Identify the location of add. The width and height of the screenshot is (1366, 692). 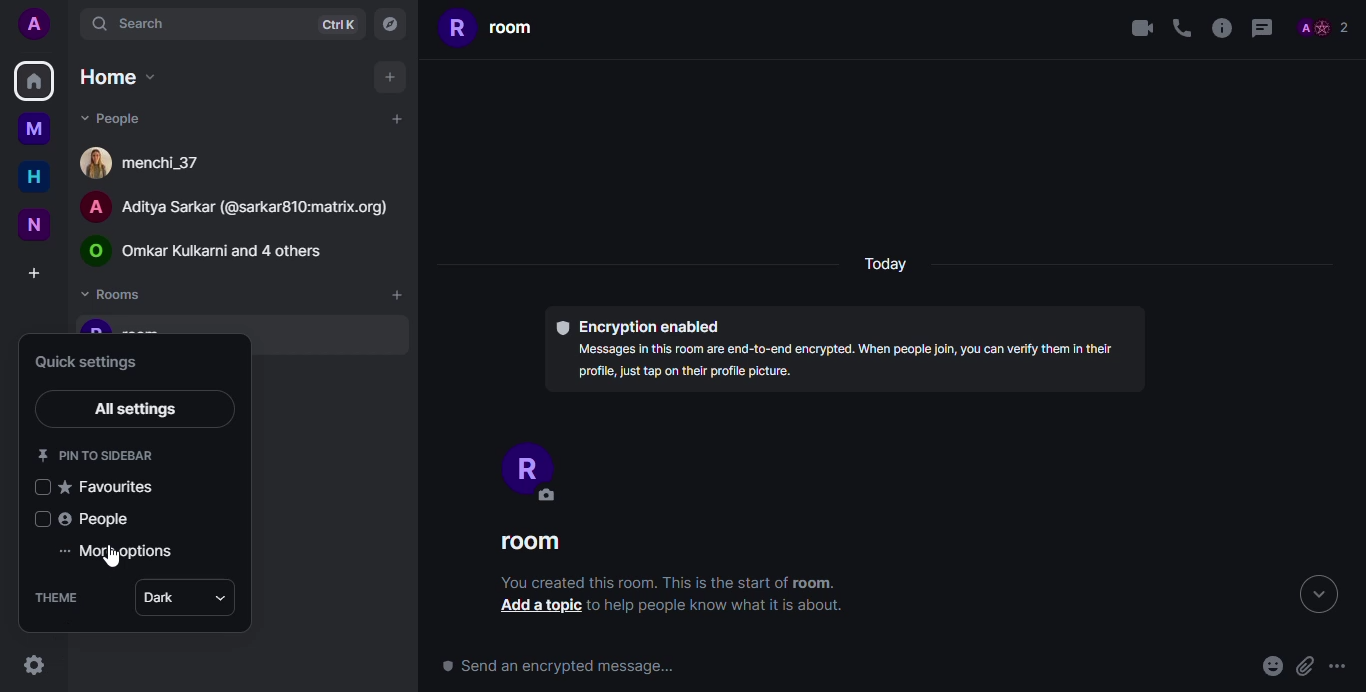
(396, 295).